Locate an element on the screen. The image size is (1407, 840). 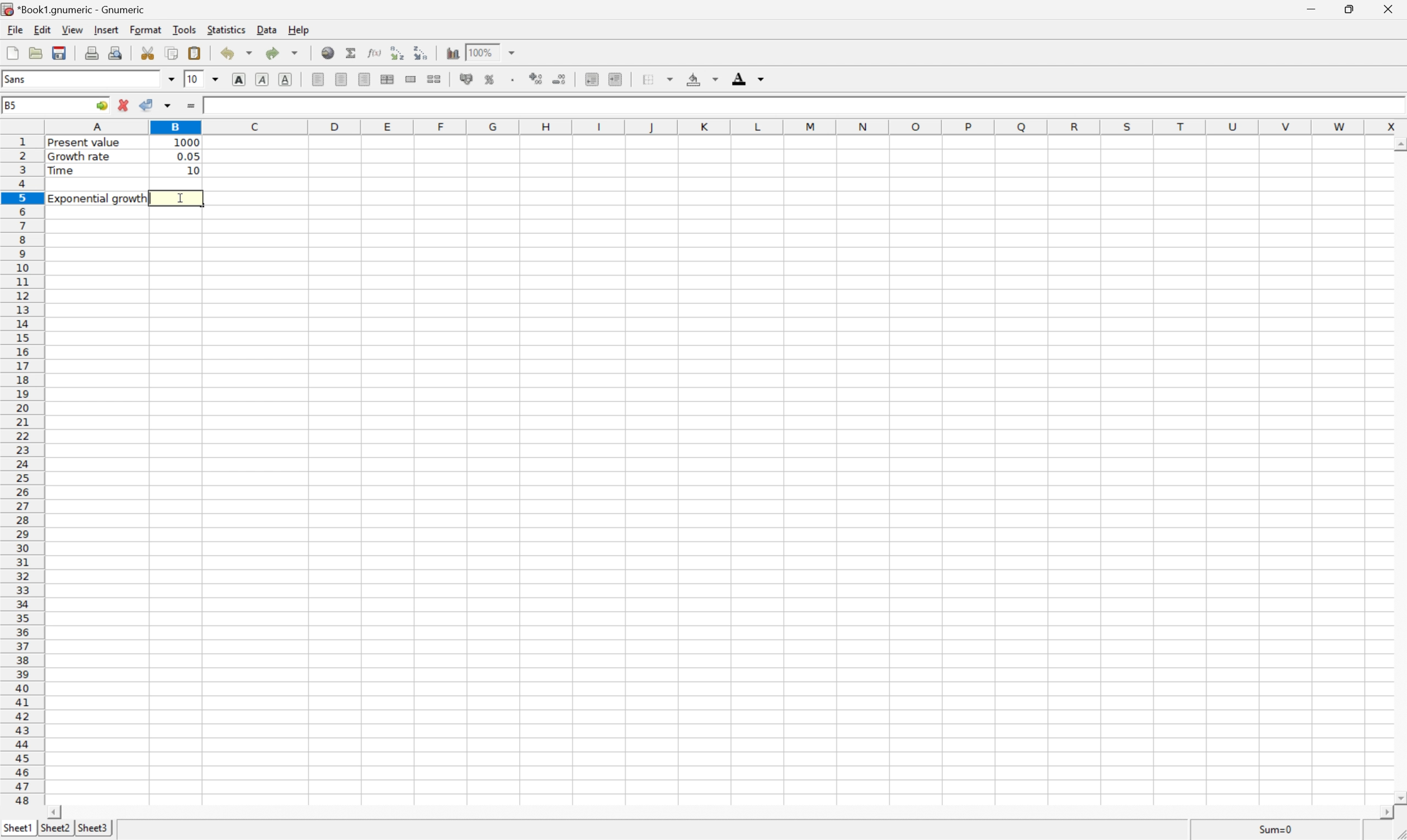
Create a new workbook is located at coordinates (13, 53).